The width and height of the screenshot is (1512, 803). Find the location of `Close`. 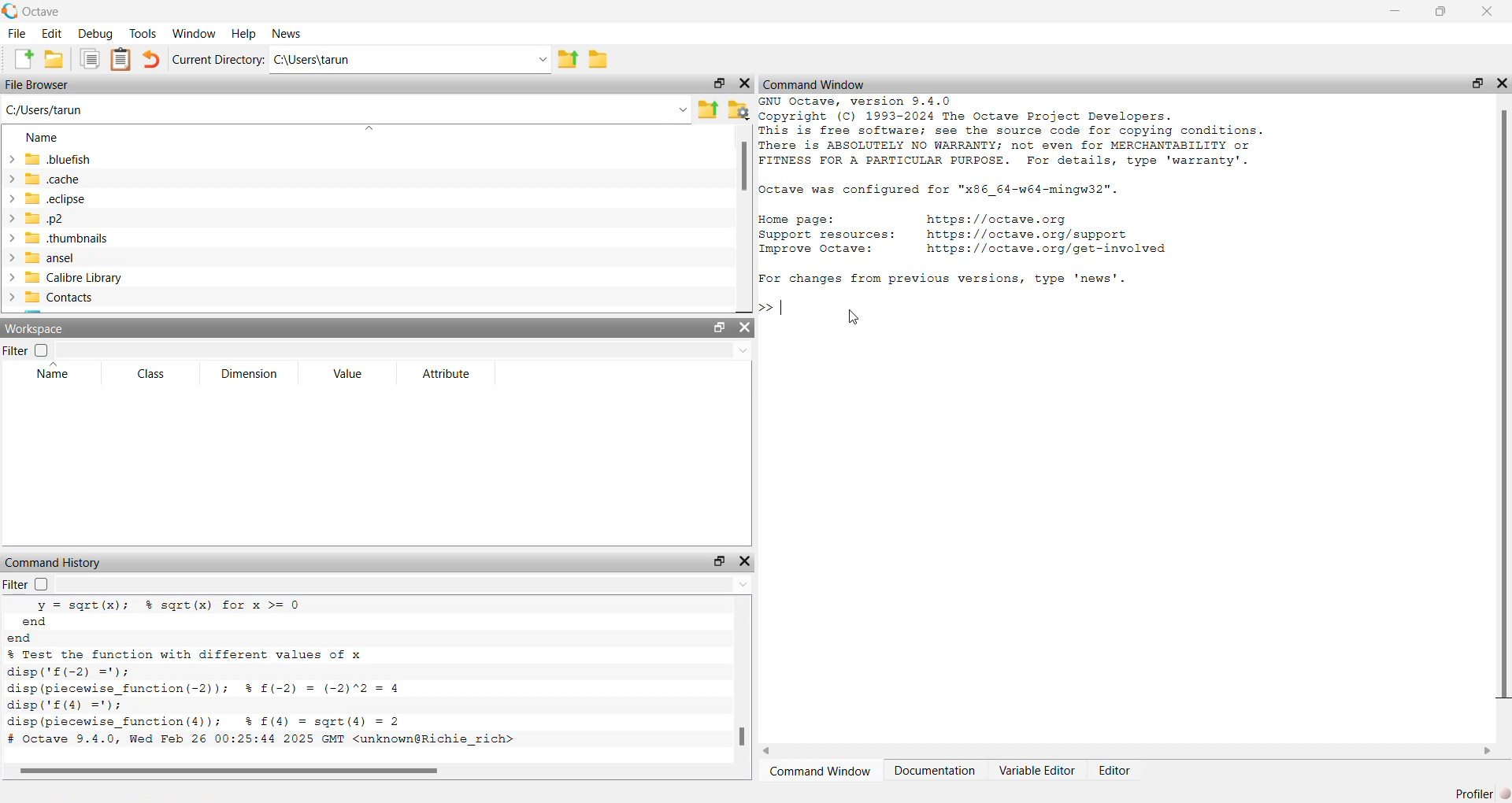

Close is located at coordinates (1485, 13).